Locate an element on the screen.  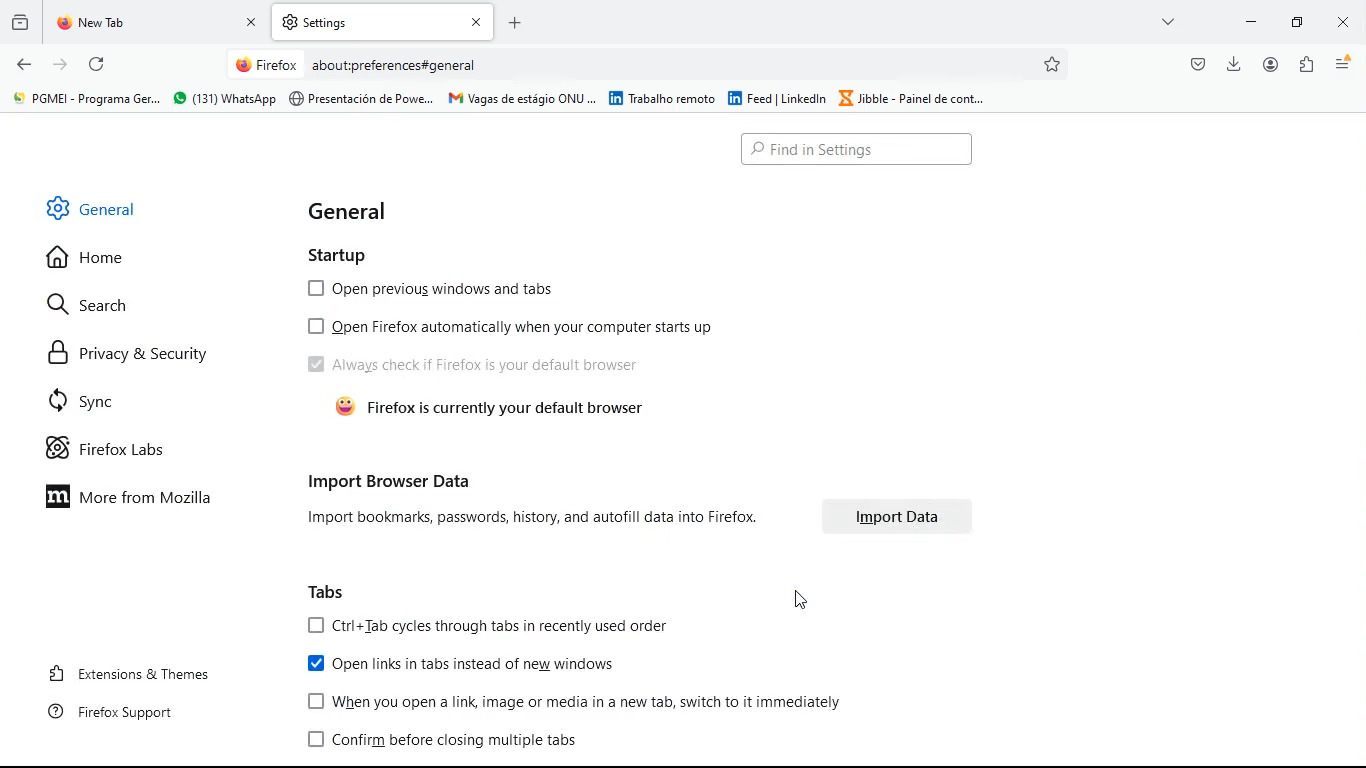
Presentacién de Powe... is located at coordinates (362, 99).